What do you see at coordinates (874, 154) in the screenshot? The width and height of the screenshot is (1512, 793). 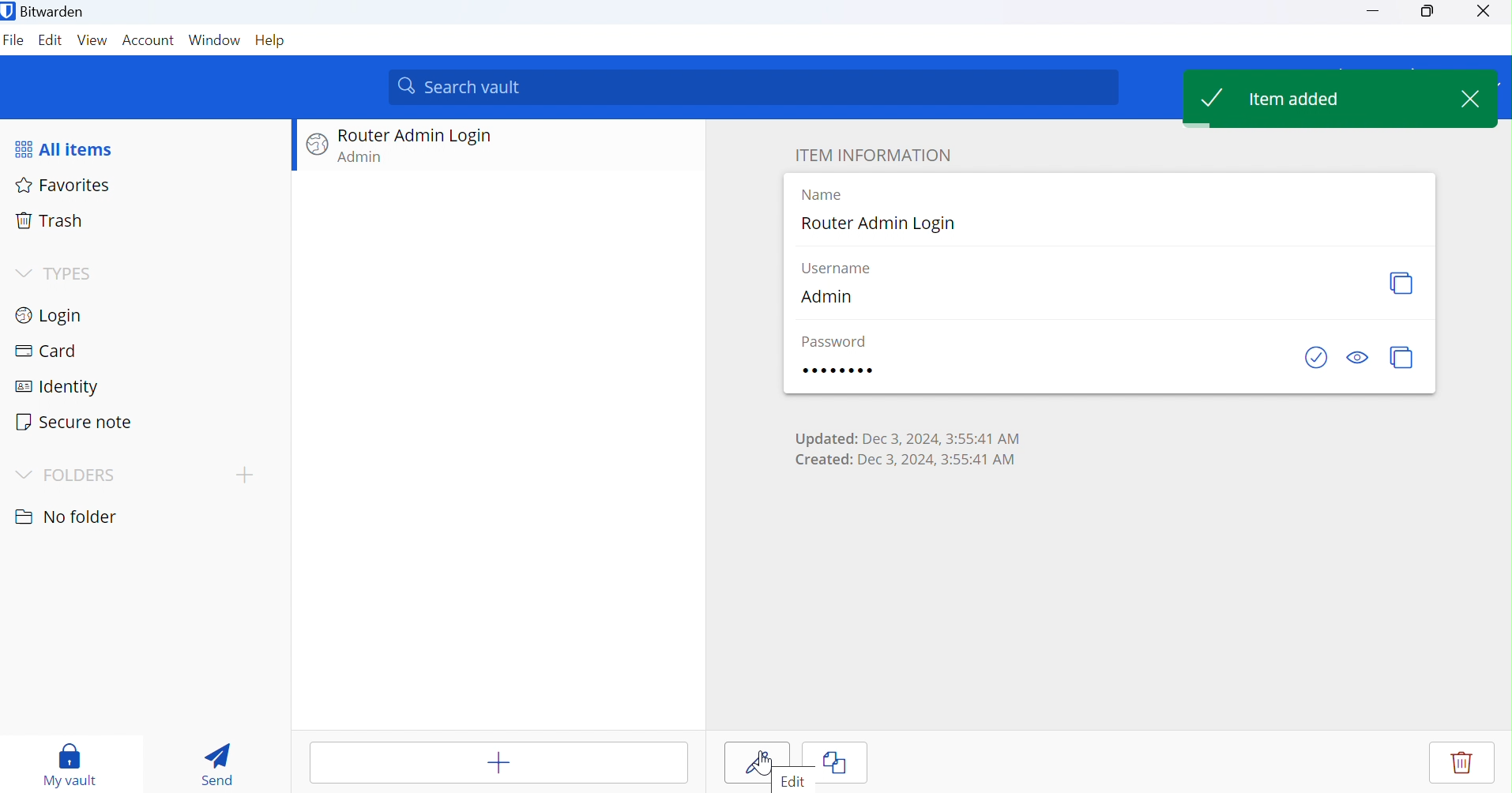 I see `ITEM INFORMATION` at bounding box center [874, 154].